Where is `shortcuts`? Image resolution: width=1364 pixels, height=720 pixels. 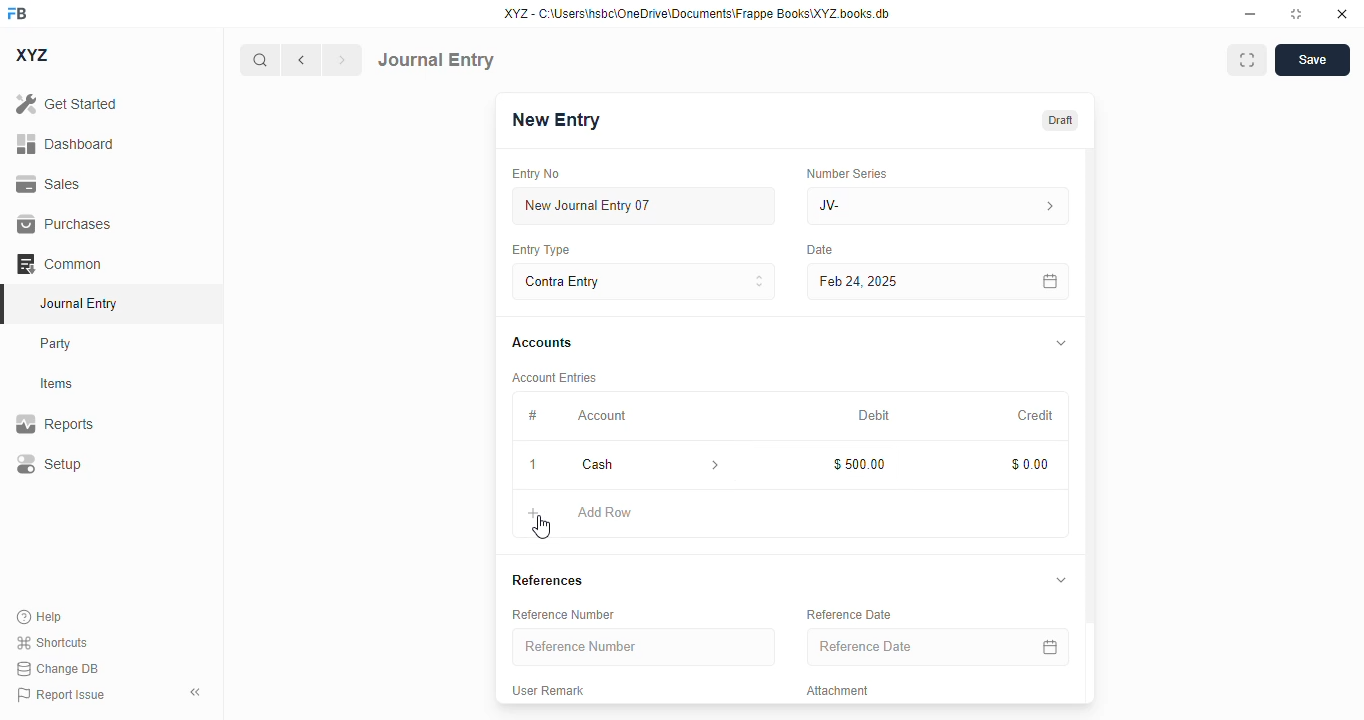
shortcuts is located at coordinates (52, 642).